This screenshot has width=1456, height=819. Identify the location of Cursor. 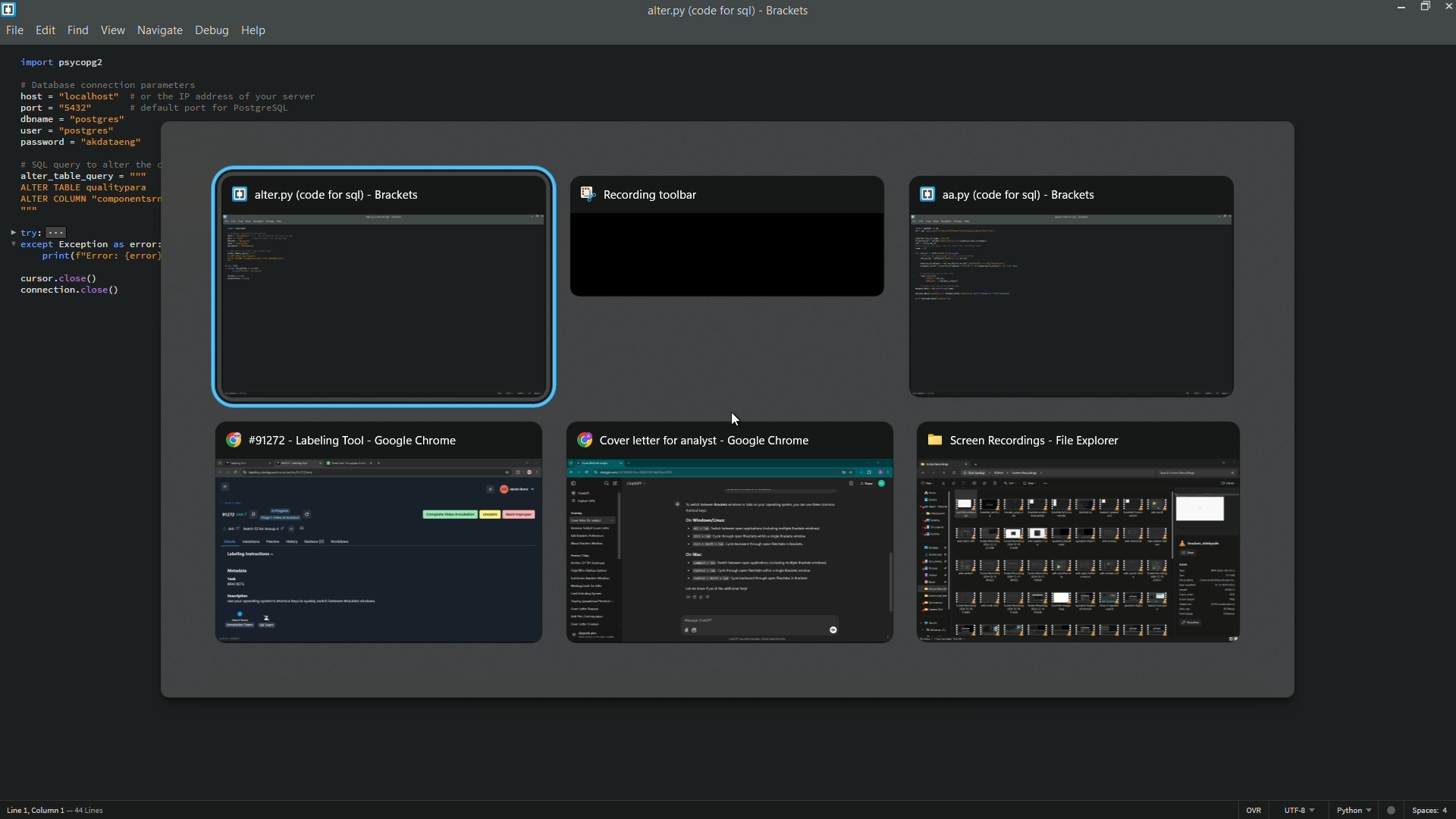
(736, 419).